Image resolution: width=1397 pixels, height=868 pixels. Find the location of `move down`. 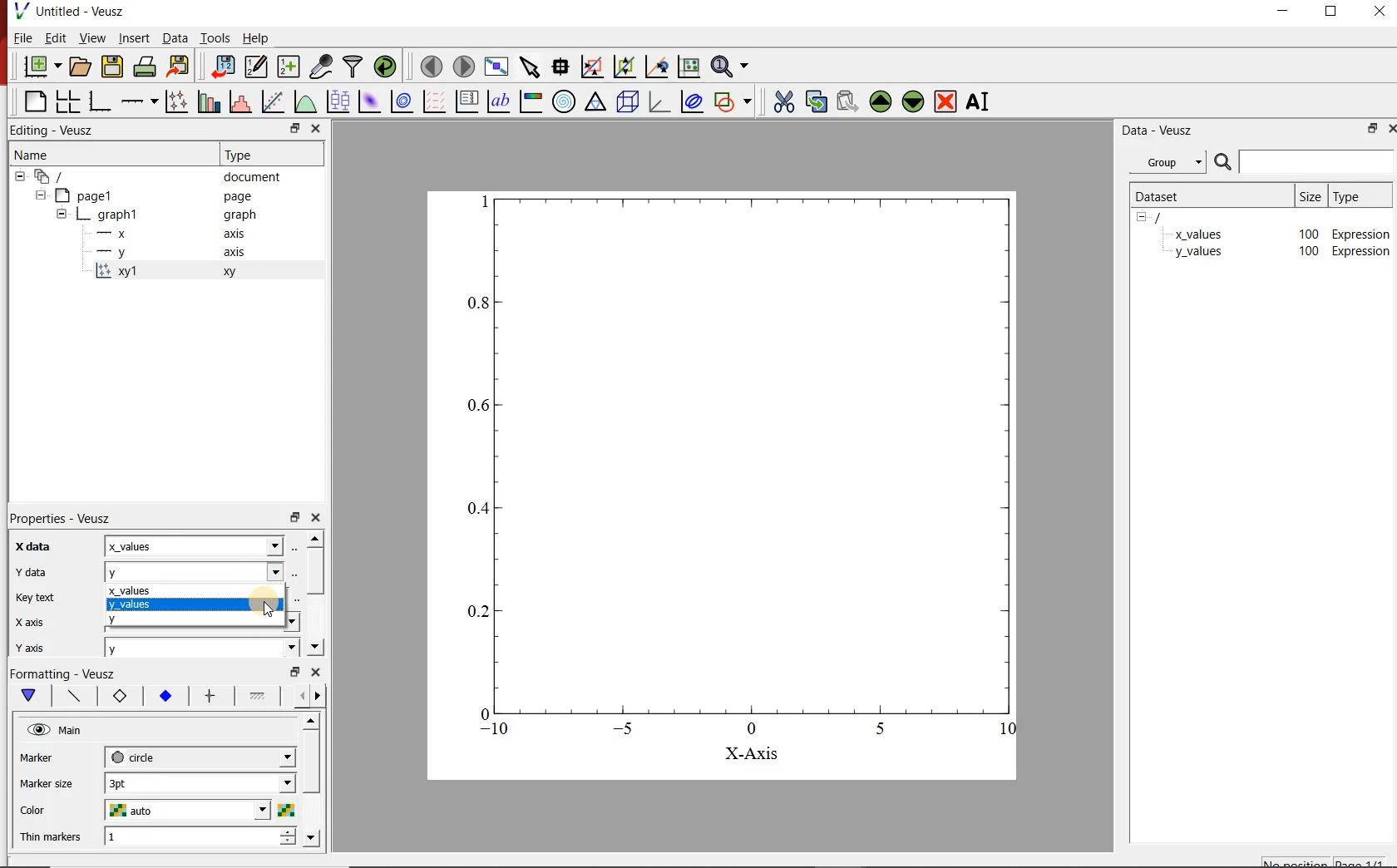

move down is located at coordinates (316, 646).